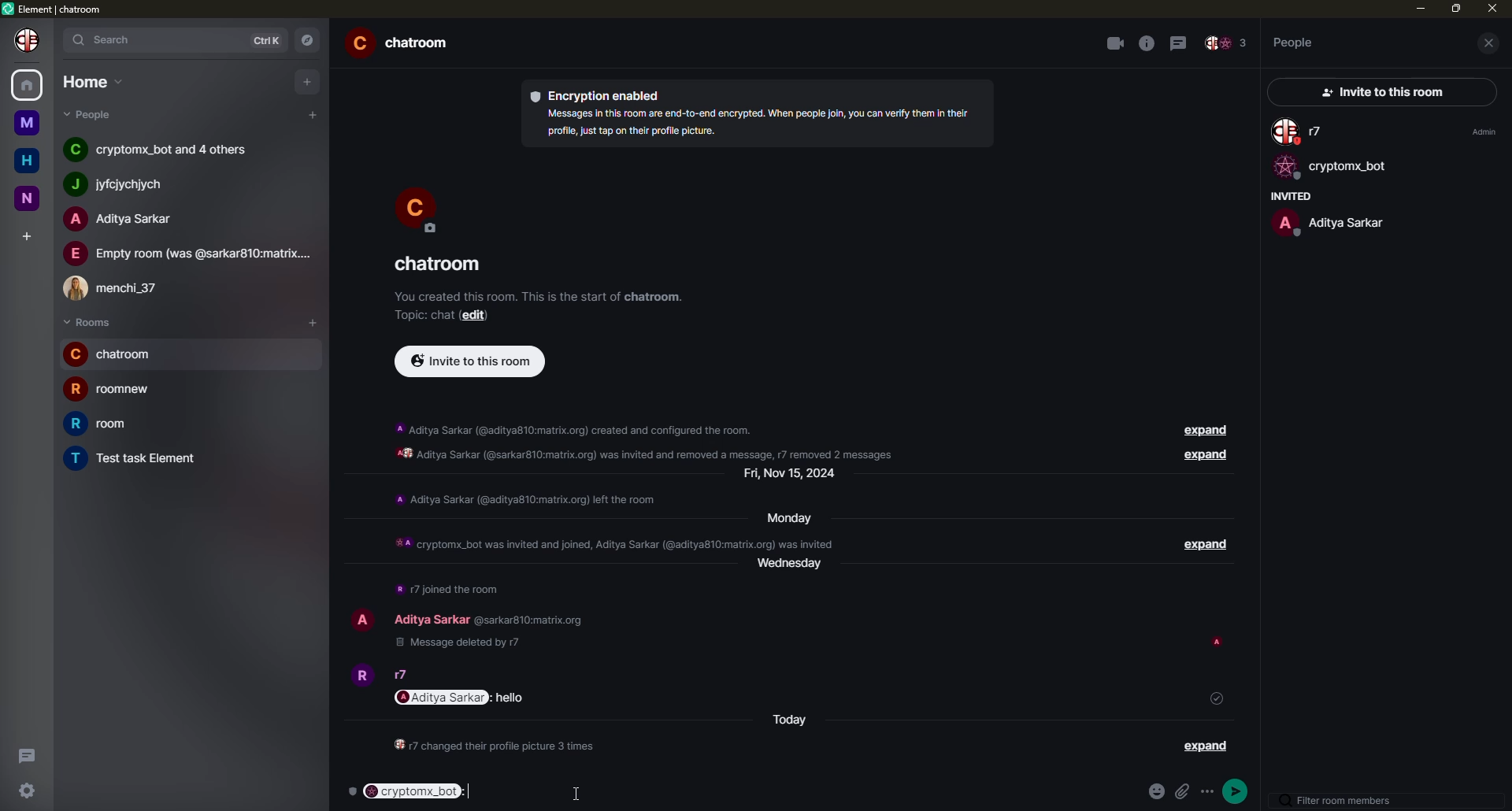  What do you see at coordinates (33, 197) in the screenshot?
I see `n` at bounding box center [33, 197].